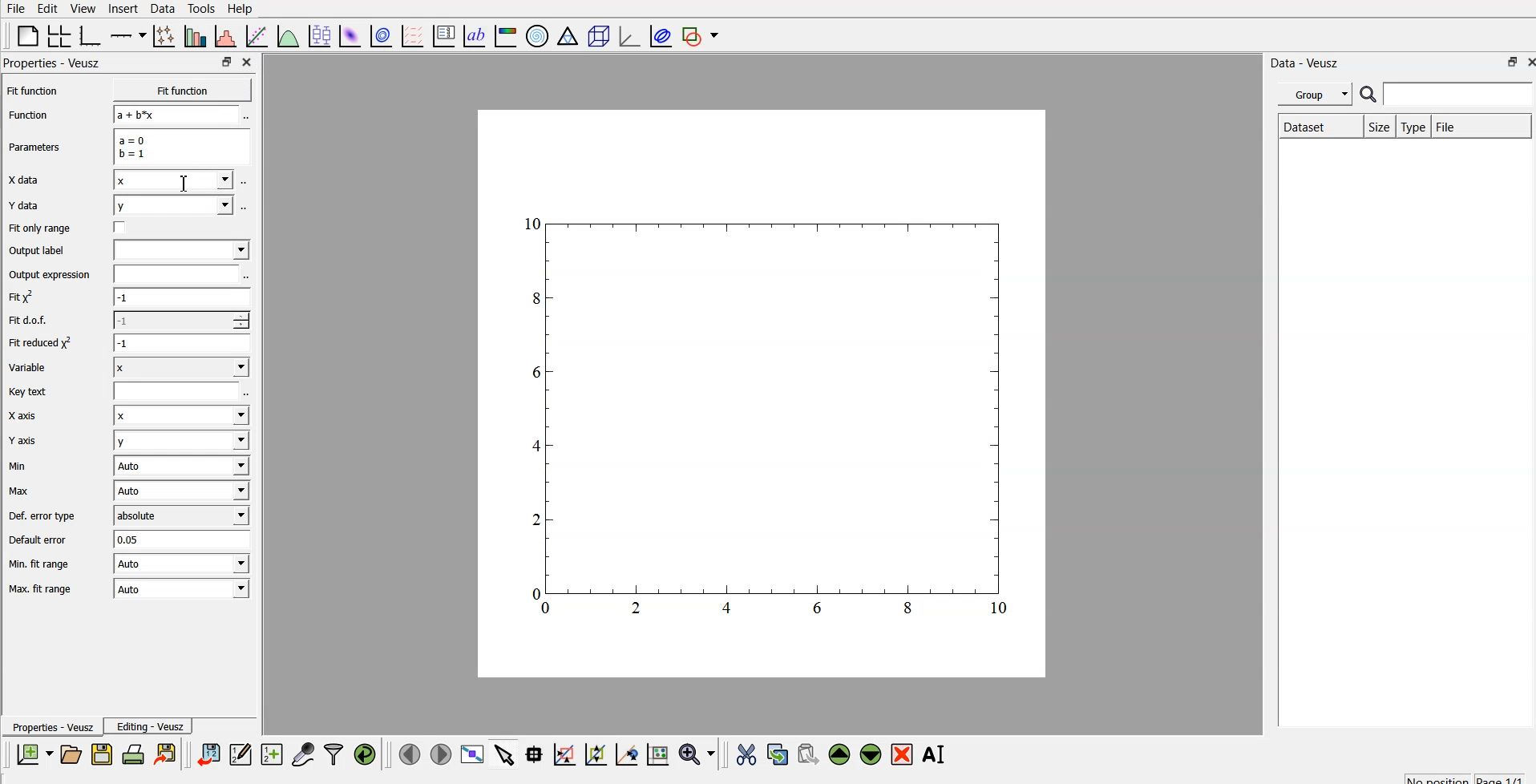 Image resolution: width=1536 pixels, height=784 pixels. What do you see at coordinates (697, 757) in the screenshot?
I see `zoom functions menu` at bounding box center [697, 757].